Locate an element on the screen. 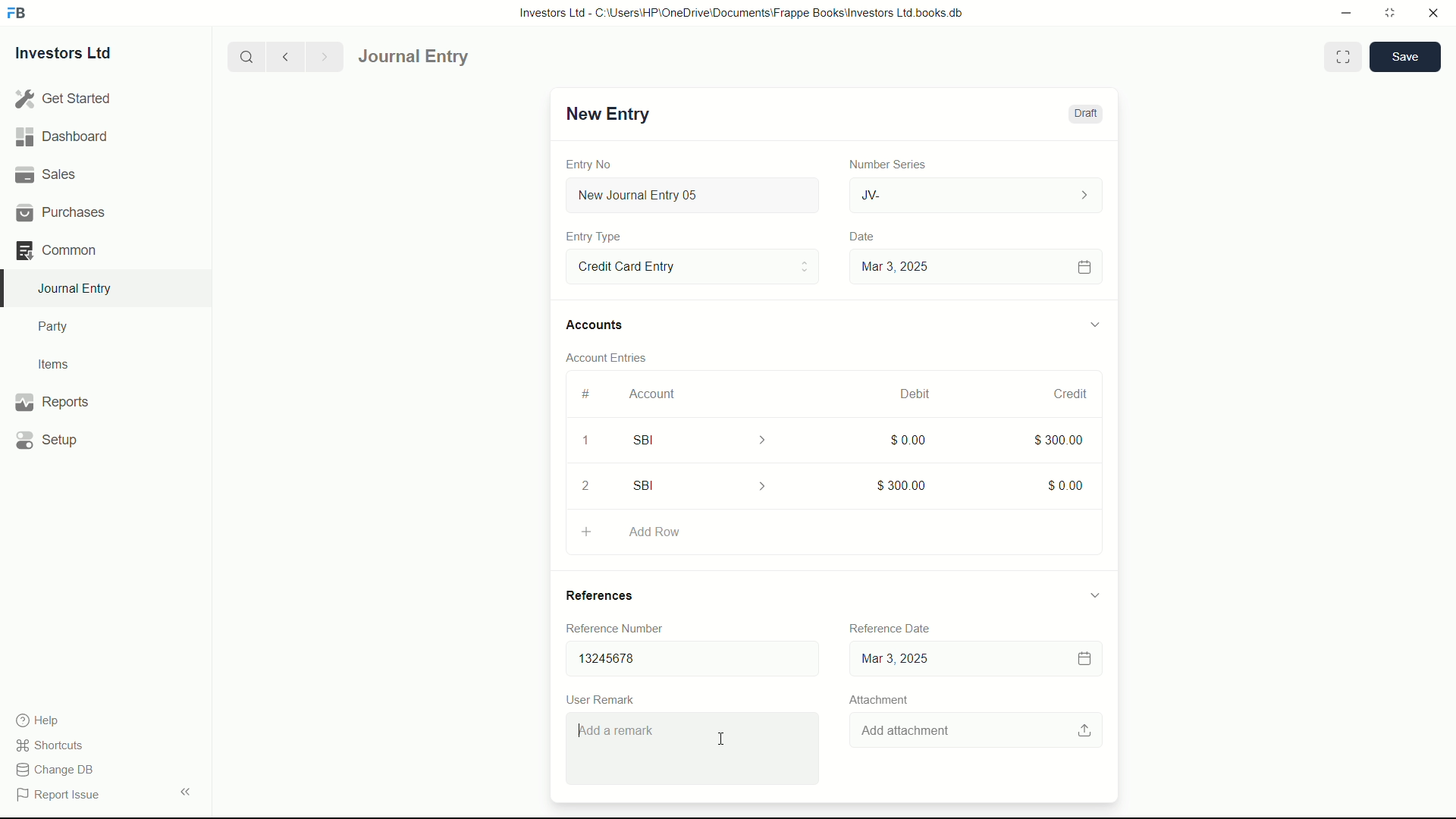  SBI is located at coordinates (710, 439).